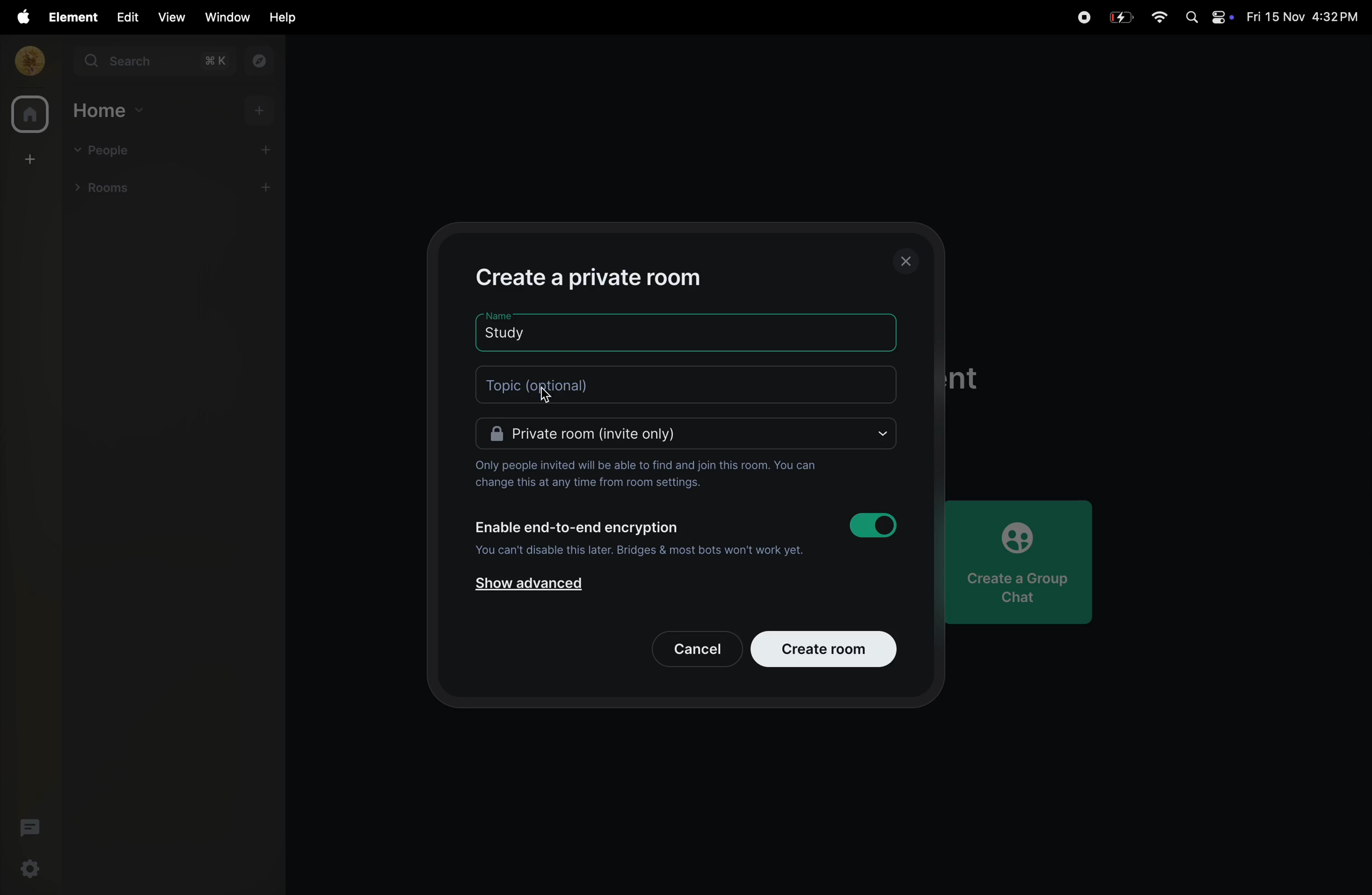  What do you see at coordinates (544, 400) in the screenshot?
I see `cursor` at bounding box center [544, 400].